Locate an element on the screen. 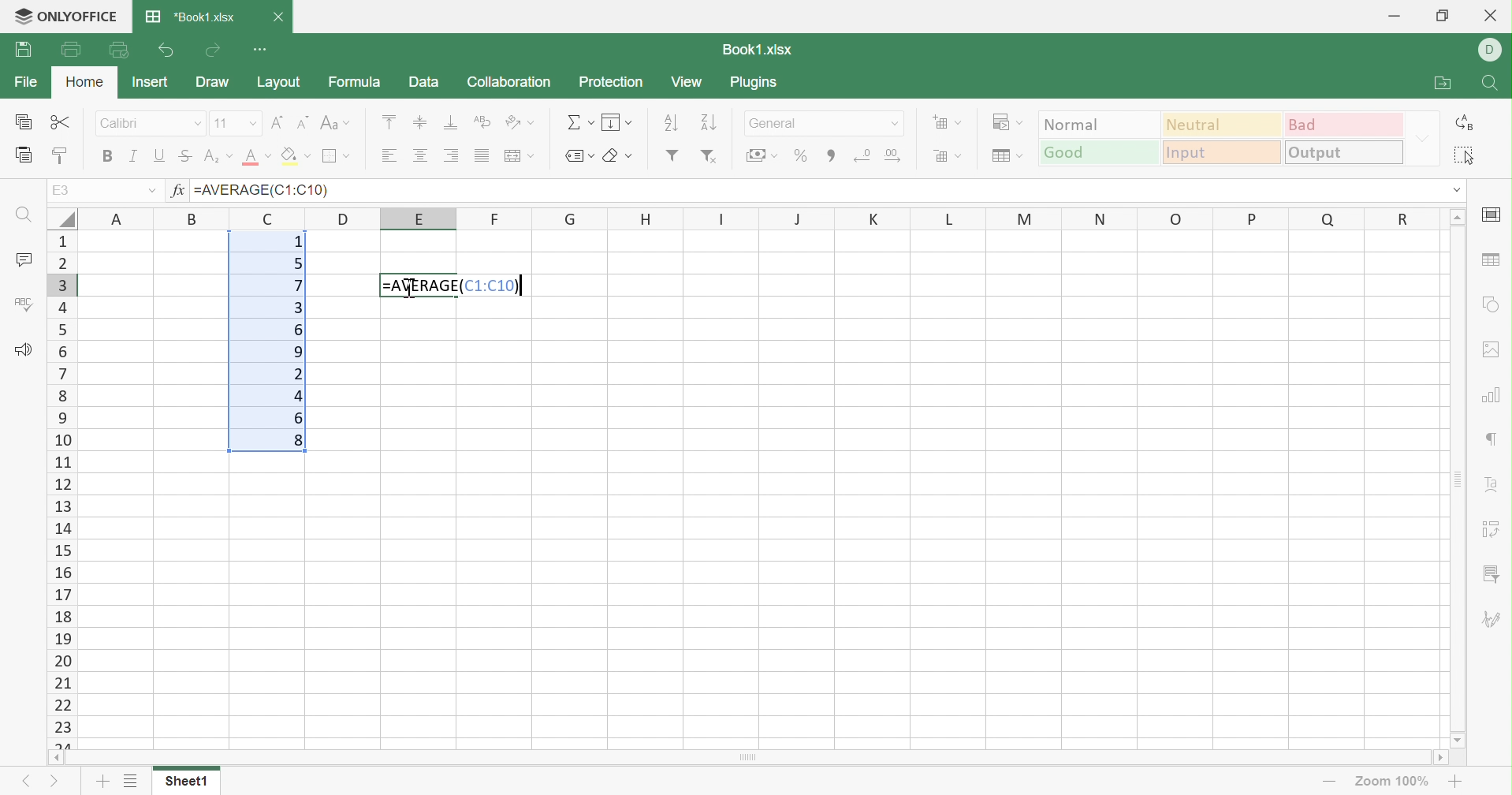  Layout is located at coordinates (279, 84).